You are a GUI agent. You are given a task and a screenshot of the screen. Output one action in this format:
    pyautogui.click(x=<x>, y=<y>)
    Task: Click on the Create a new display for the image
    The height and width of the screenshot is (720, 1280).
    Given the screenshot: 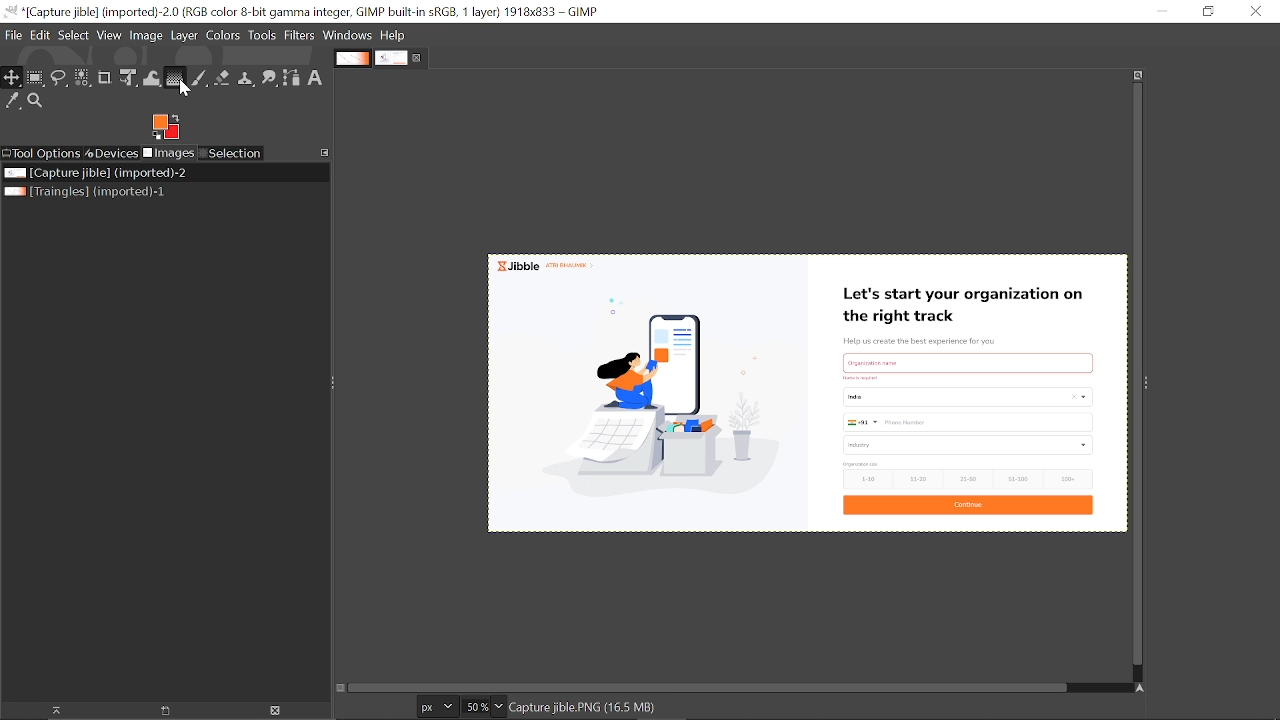 What is the action you would take?
    pyautogui.click(x=159, y=711)
    